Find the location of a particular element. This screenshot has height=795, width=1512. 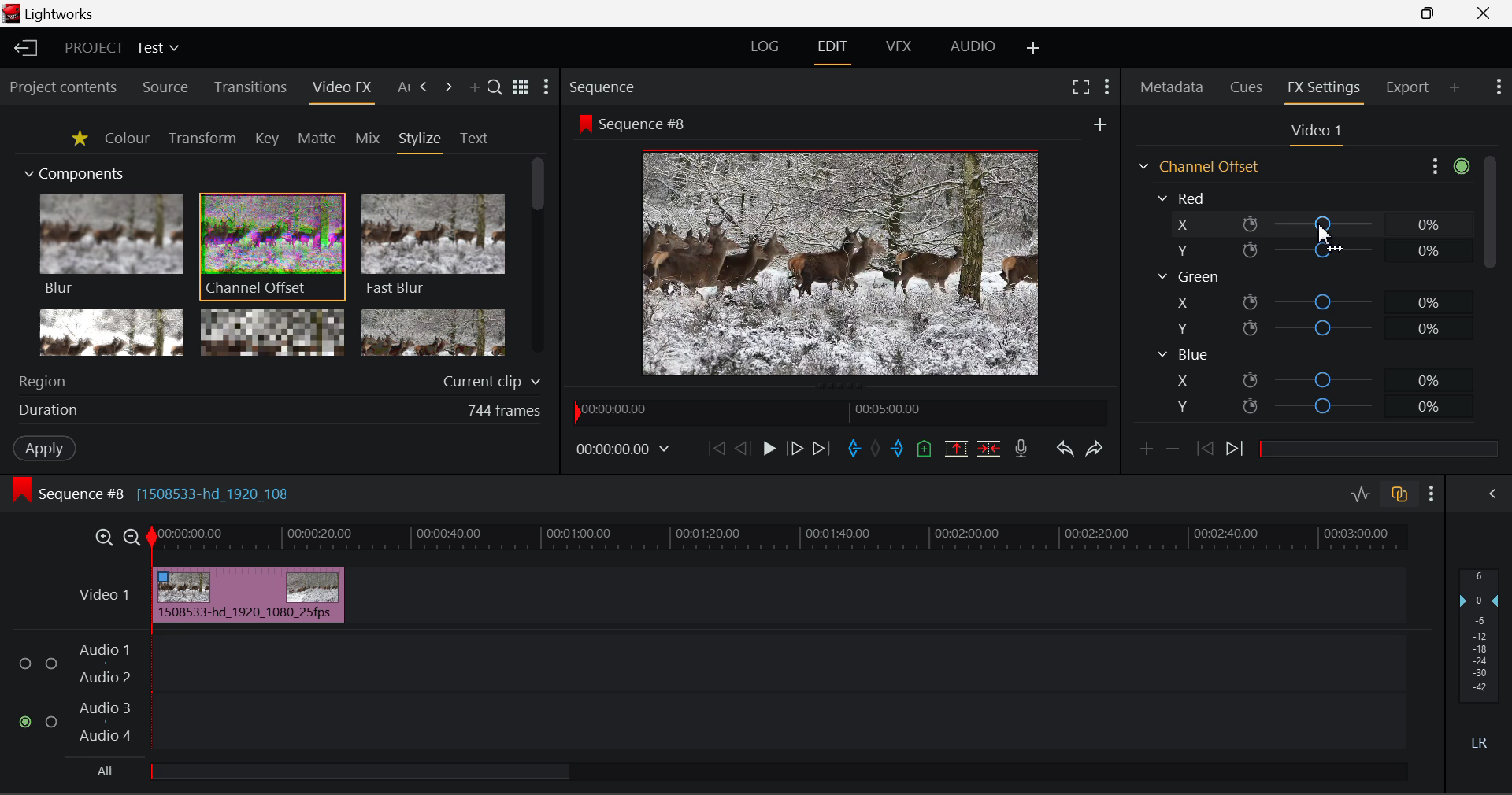

Green X is located at coordinates (1310, 301).